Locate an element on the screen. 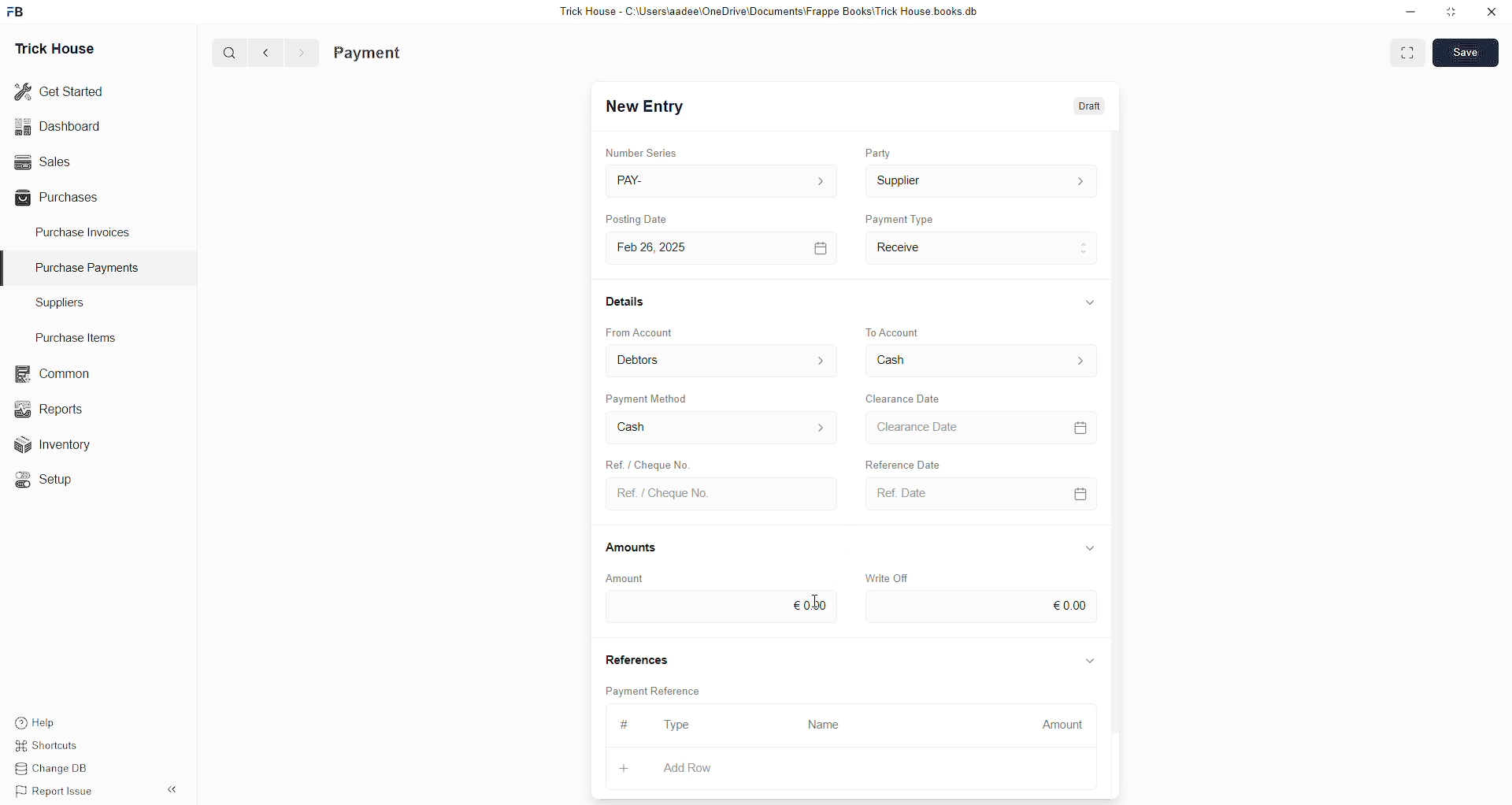 This screenshot has height=805, width=1512. Ref. Date is located at coordinates (976, 493).